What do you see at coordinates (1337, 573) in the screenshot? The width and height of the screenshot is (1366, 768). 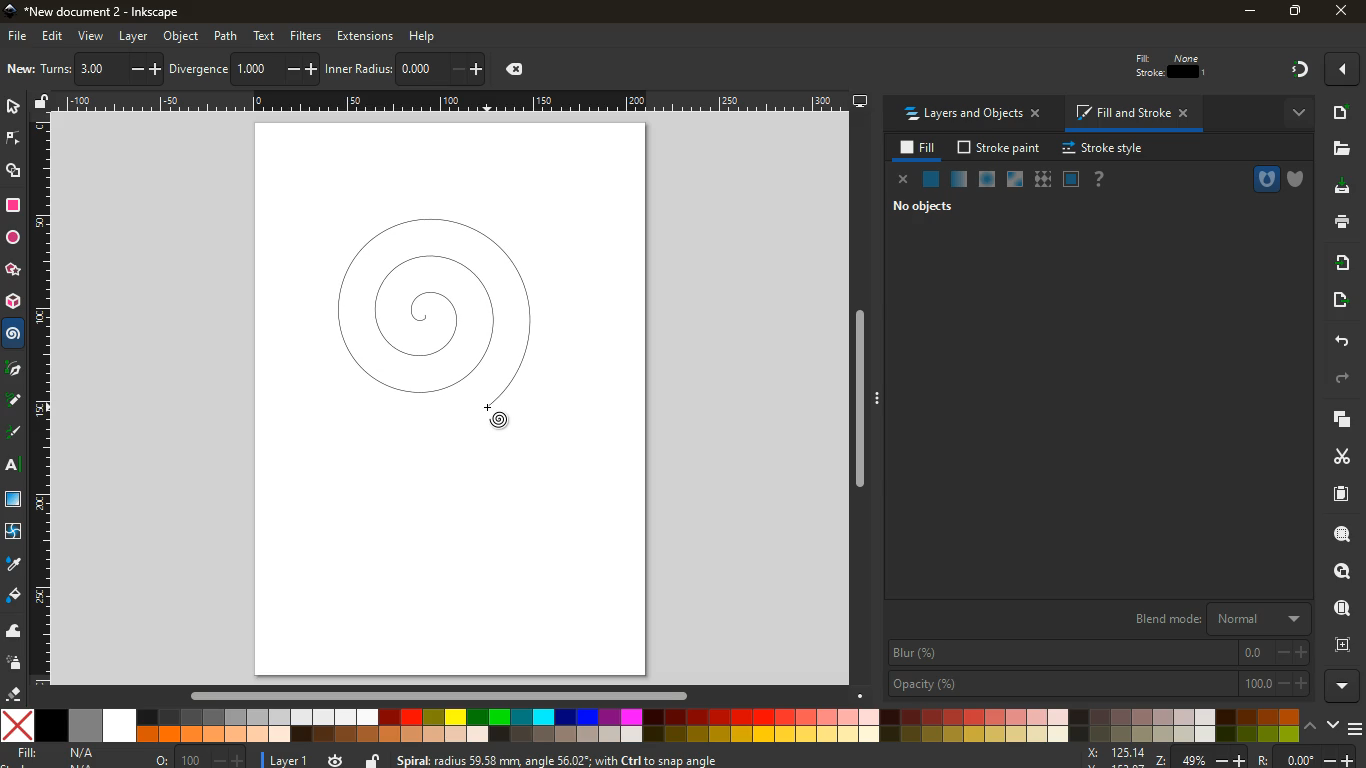 I see `look` at bounding box center [1337, 573].